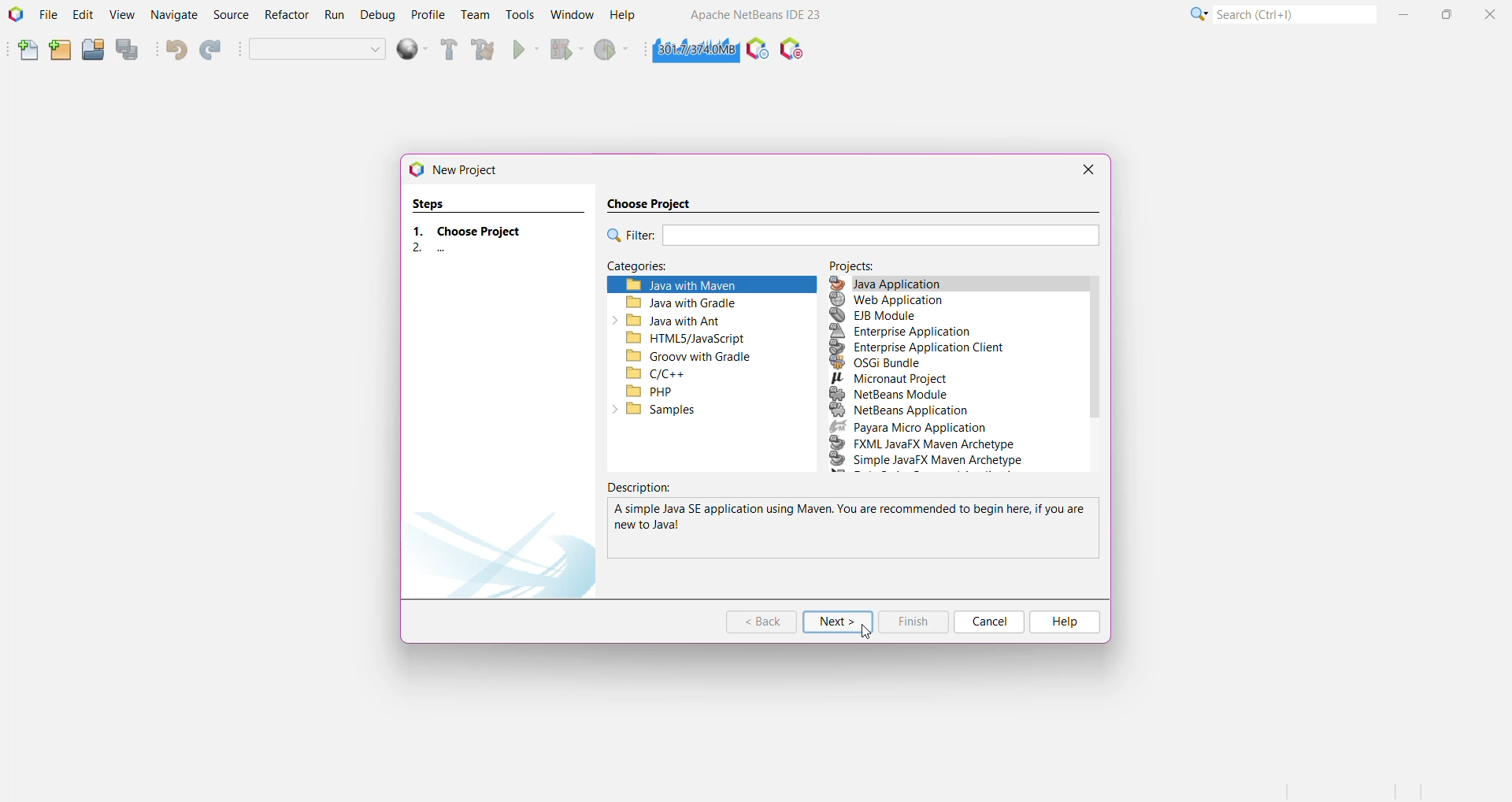 The height and width of the screenshot is (802, 1512). I want to click on EJB Mobile, so click(888, 317).